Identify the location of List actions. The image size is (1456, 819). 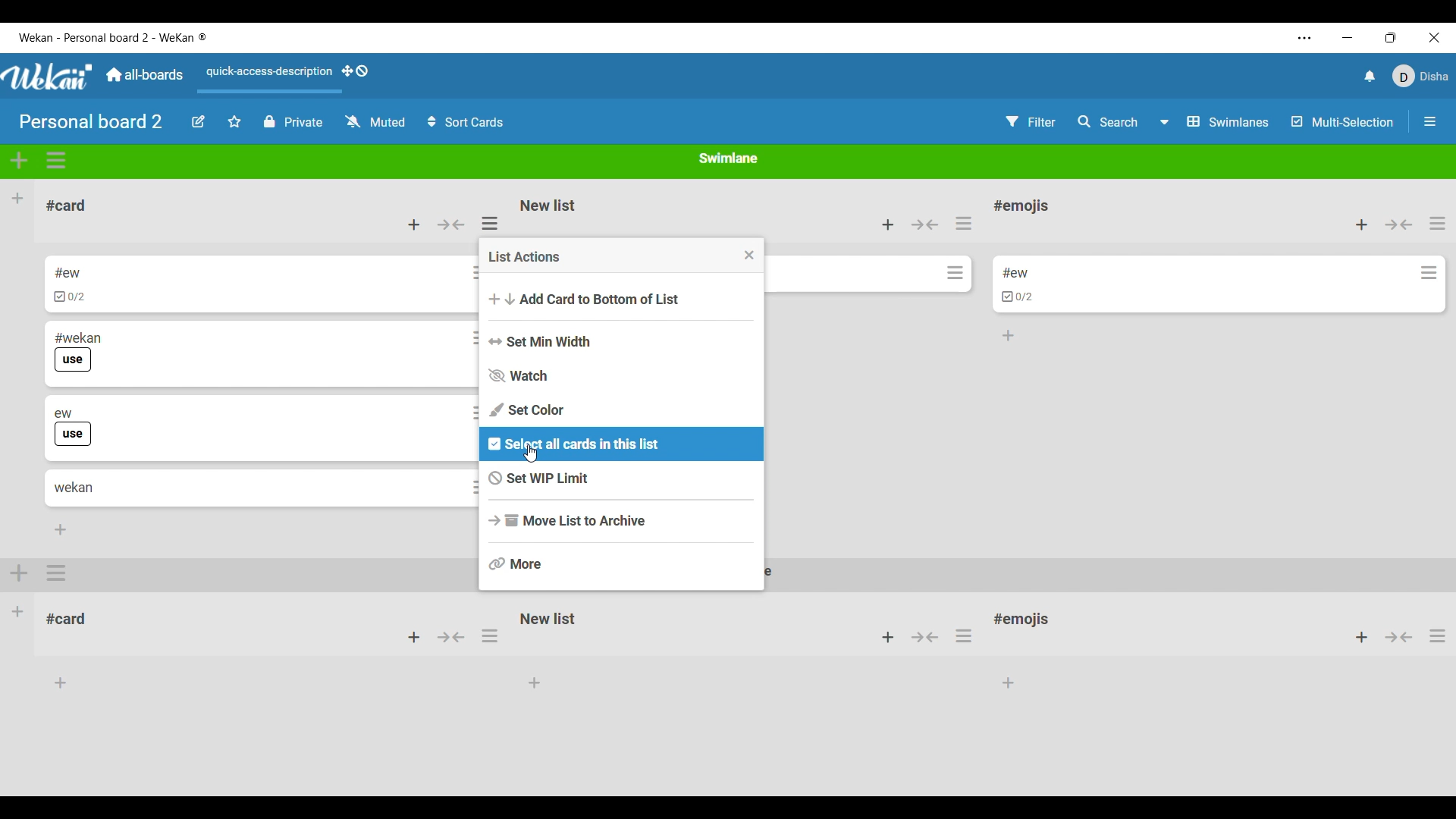
(1438, 223).